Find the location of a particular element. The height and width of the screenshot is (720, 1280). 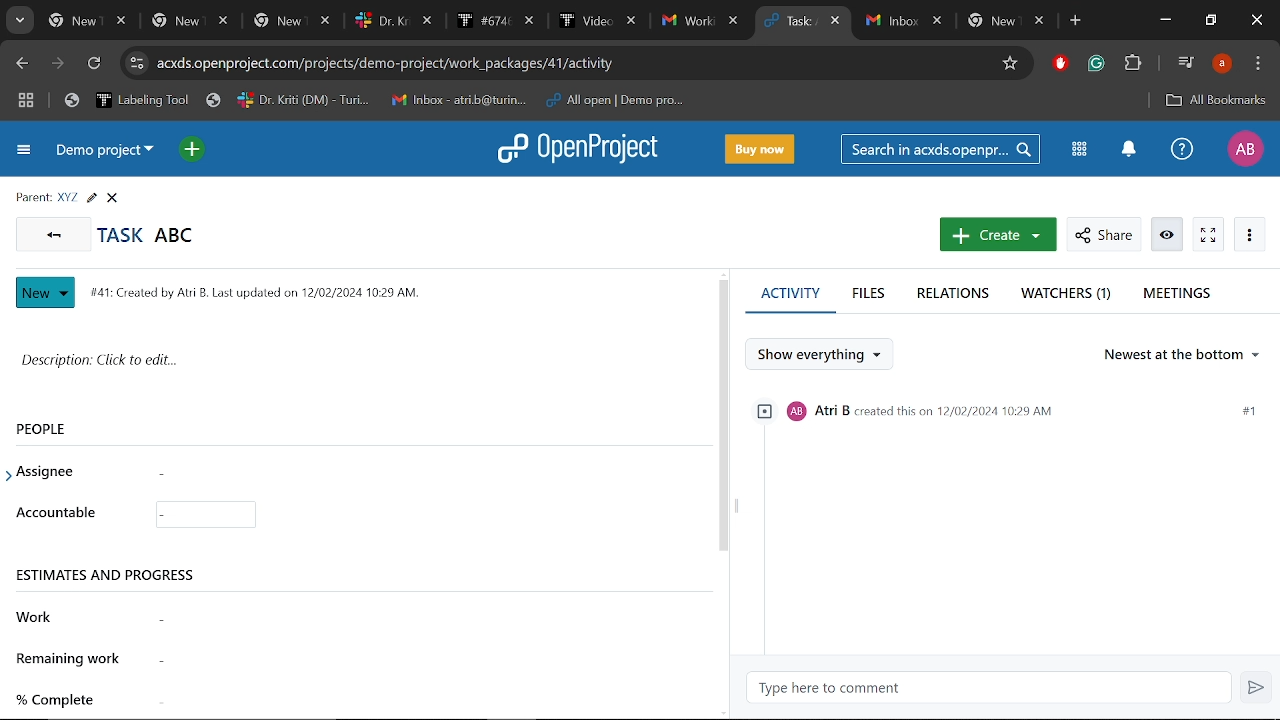

Open quick add menu is located at coordinates (190, 149).